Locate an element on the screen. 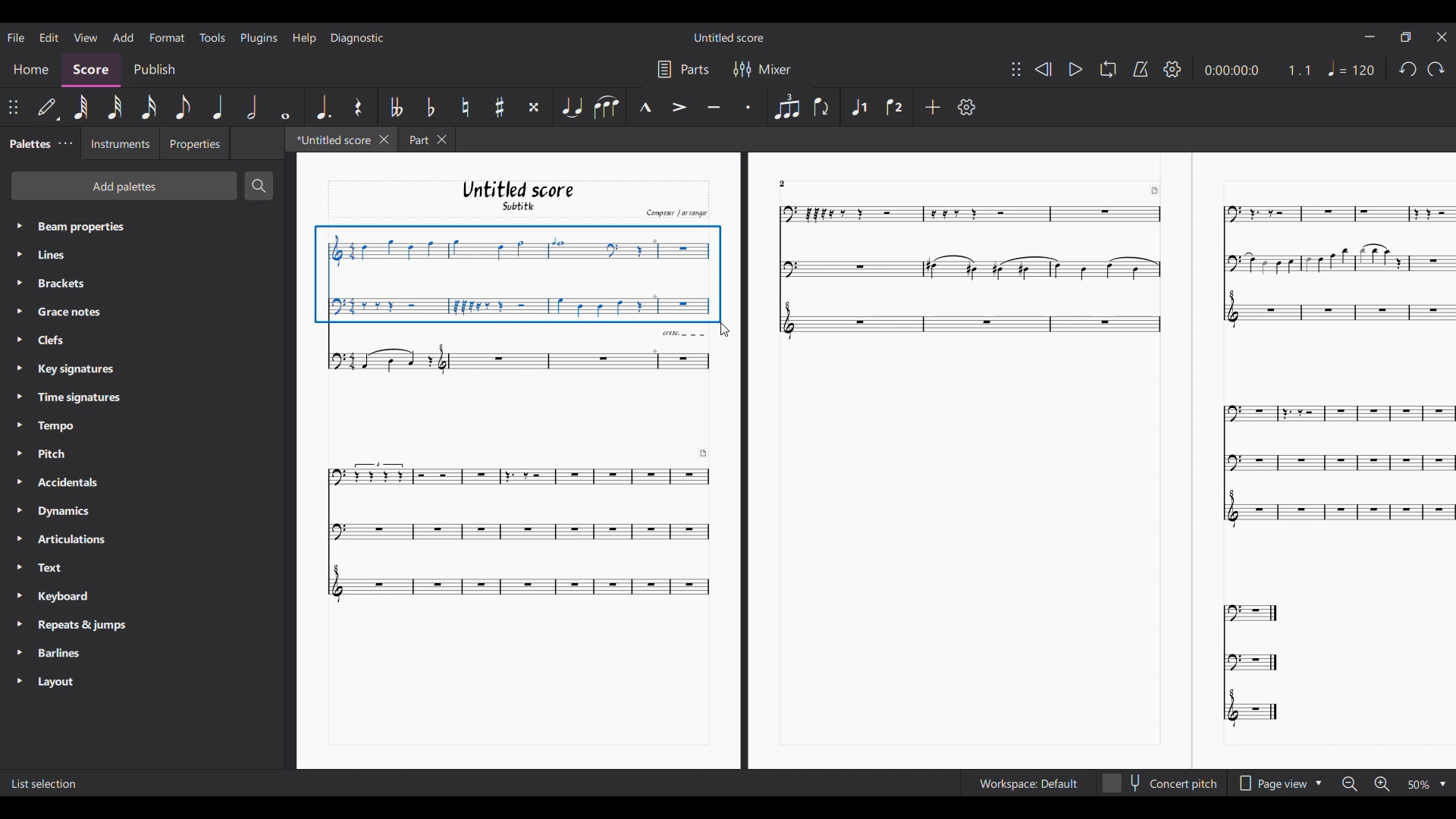  Home  is located at coordinates (31, 71).